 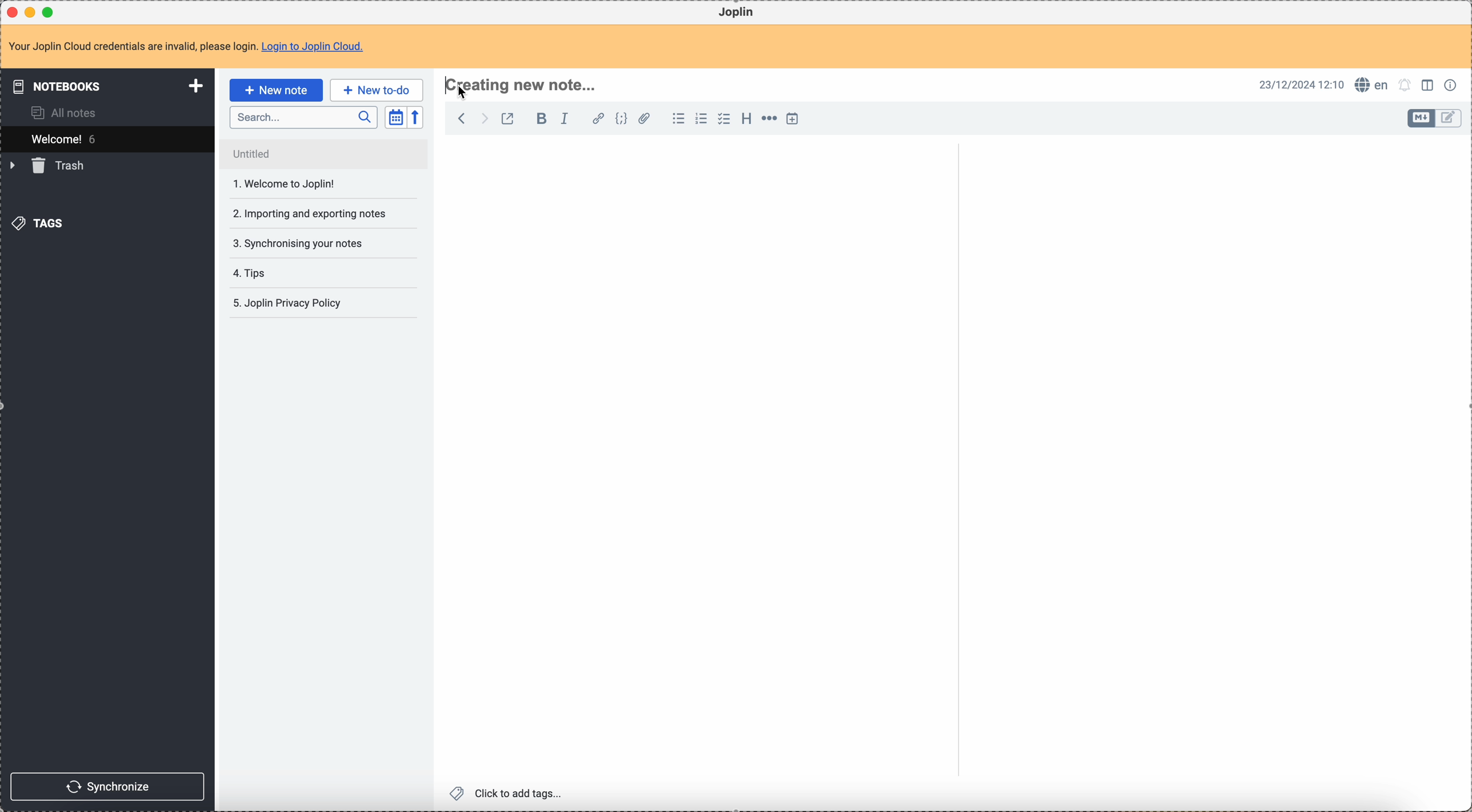 I want to click on toggle edit layout, so click(x=1428, y=84).